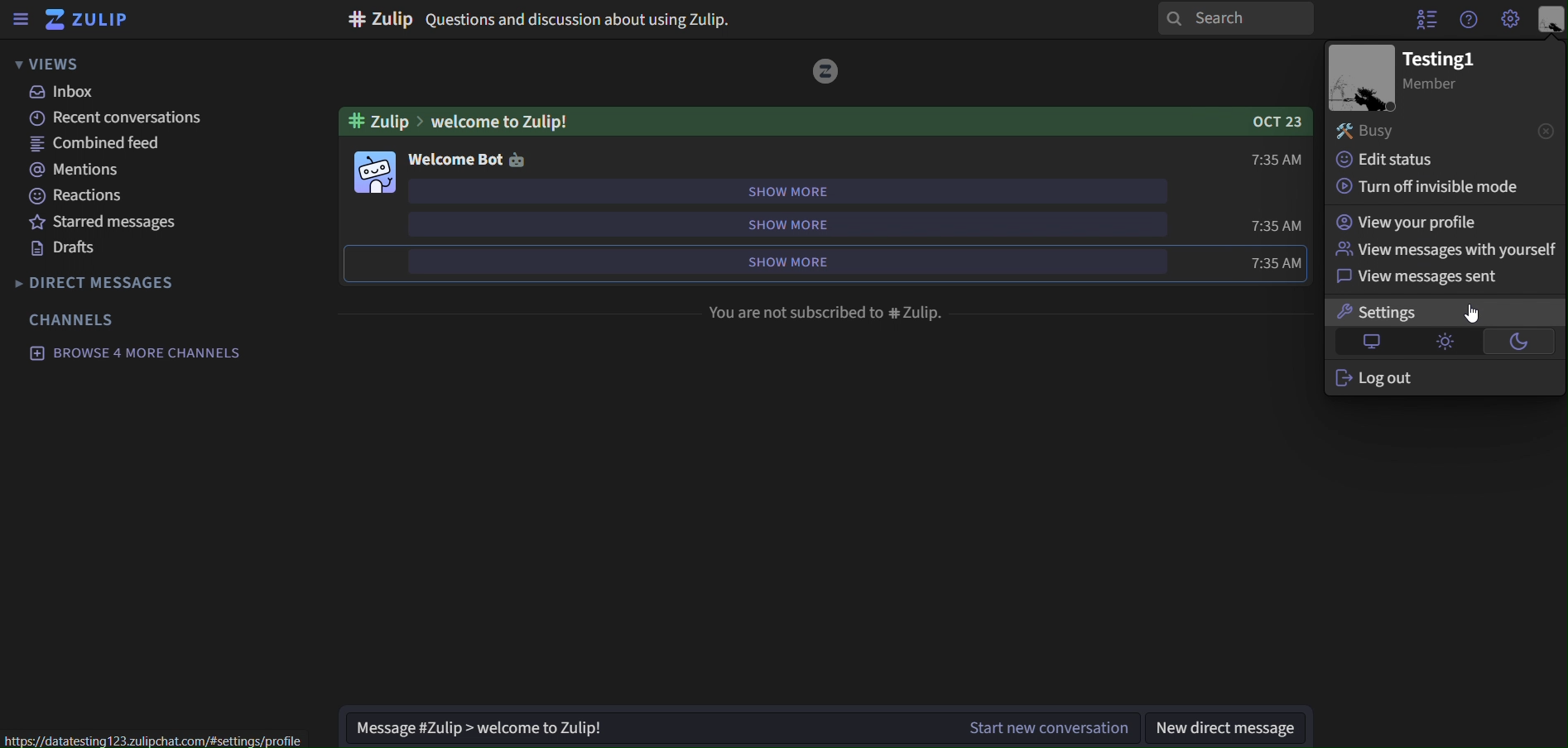 The image size is (1568, 748). What do you see at coordinates (809, 224) in the screenshot?
I see `show more` at bounding box center [809, 224].